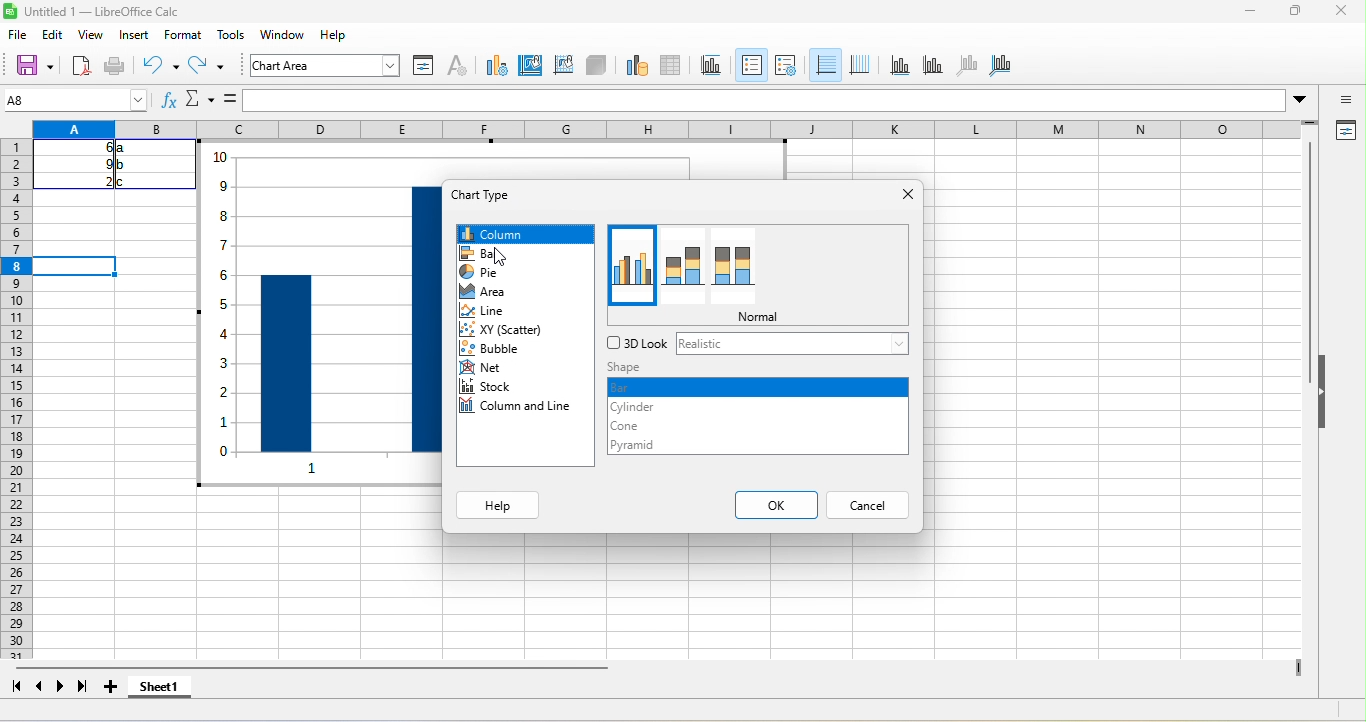 This screenshot has height=722, width=1366. Describe the element at coordinates (422, 67) in the screenshot. I see `format selection` at that location.